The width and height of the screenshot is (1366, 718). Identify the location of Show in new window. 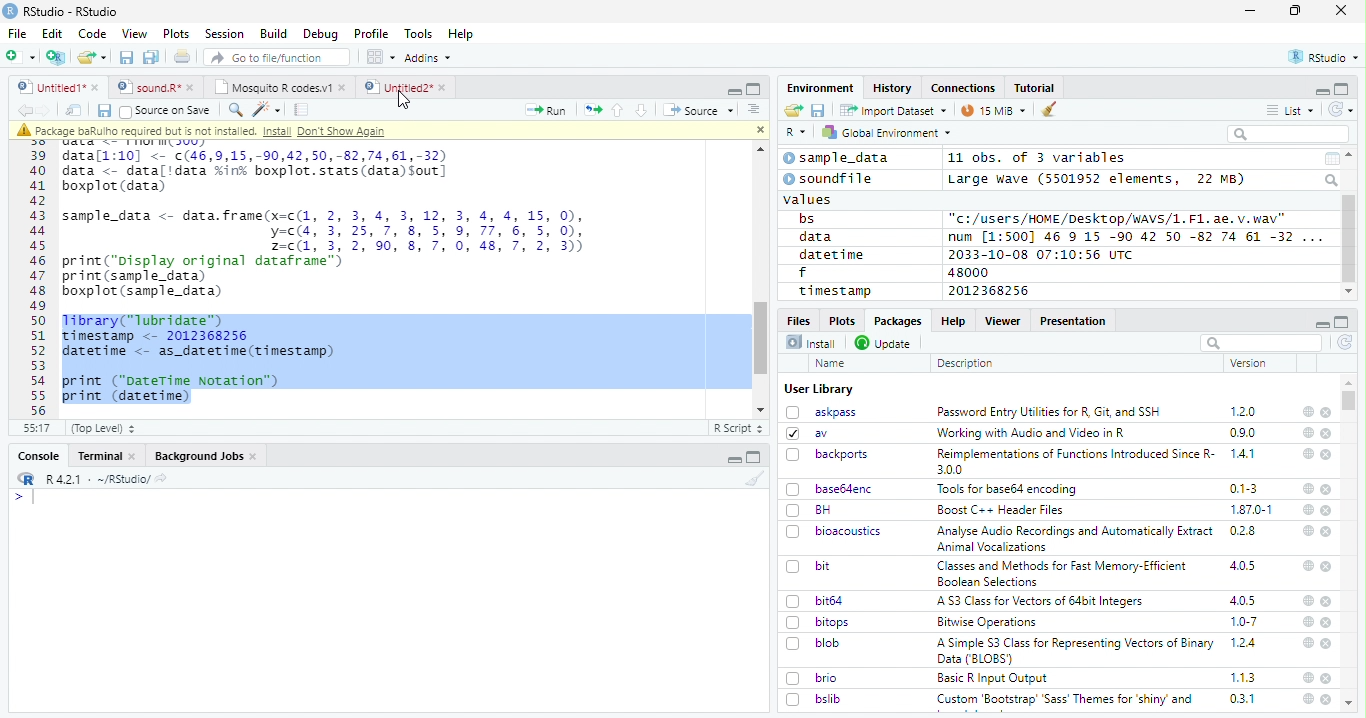
(76, 110).